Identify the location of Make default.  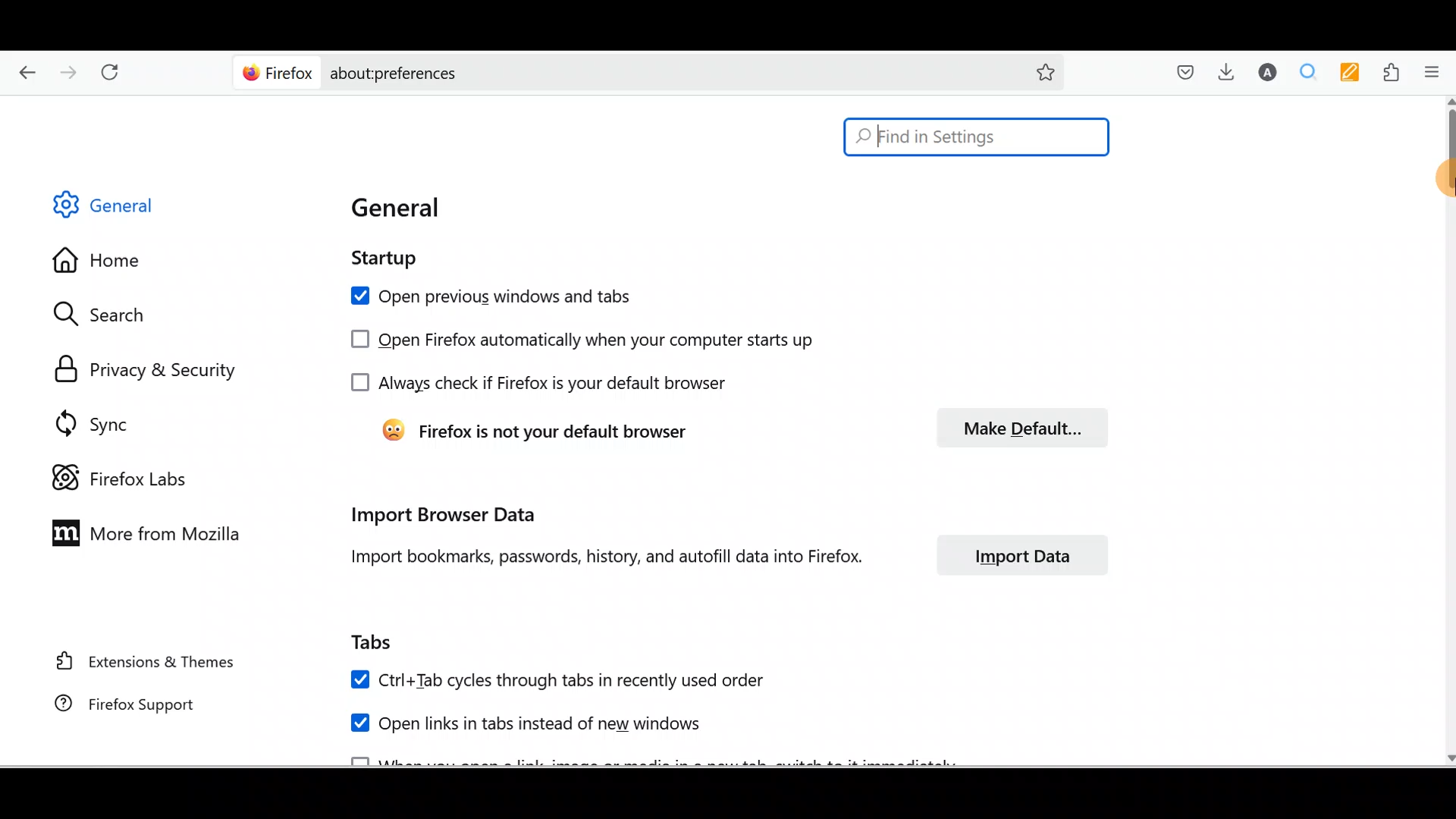
(1017, 425).